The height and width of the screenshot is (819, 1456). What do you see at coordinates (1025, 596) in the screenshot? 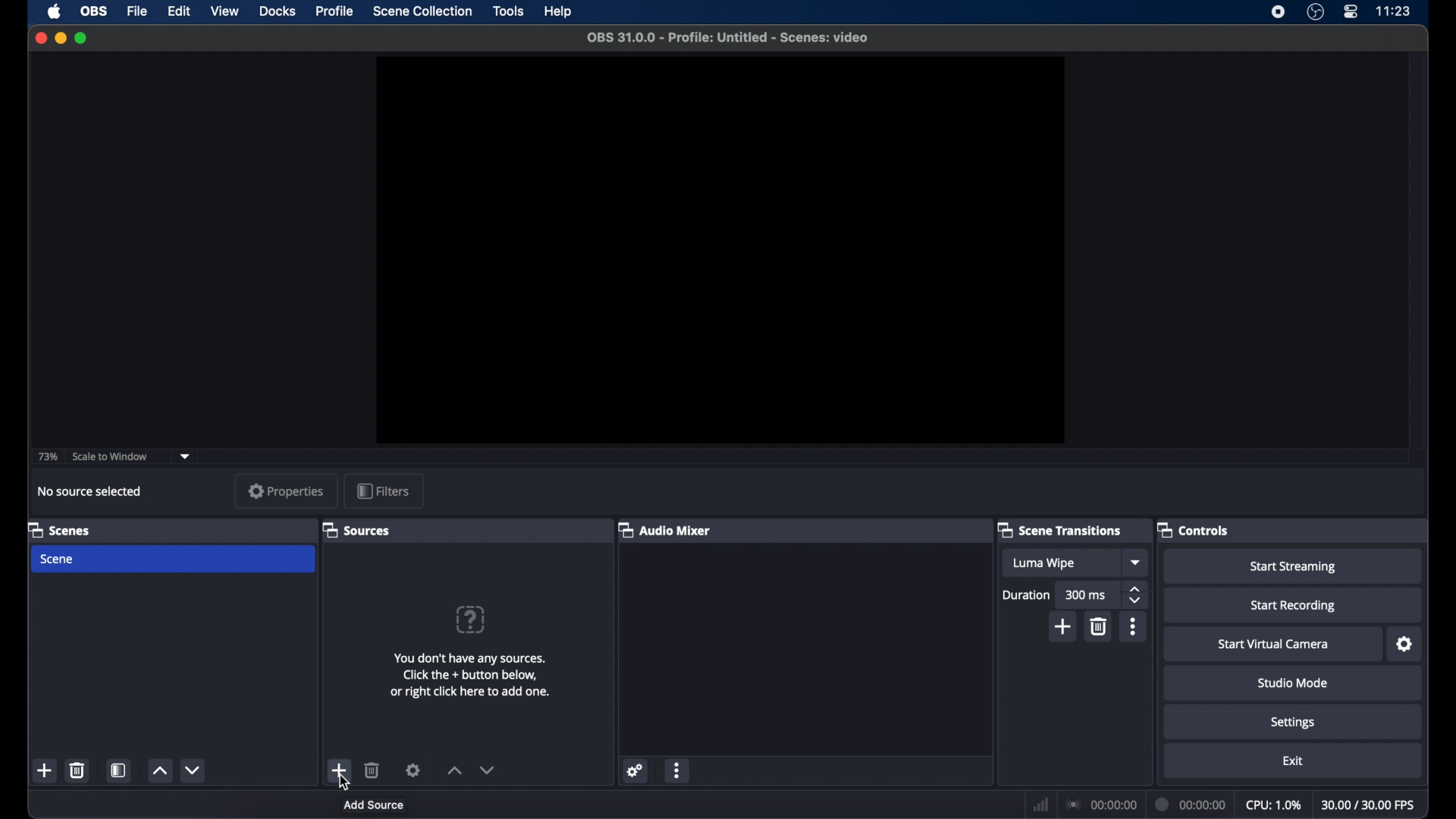
I see `duration` at bounding box center [1025, 596].